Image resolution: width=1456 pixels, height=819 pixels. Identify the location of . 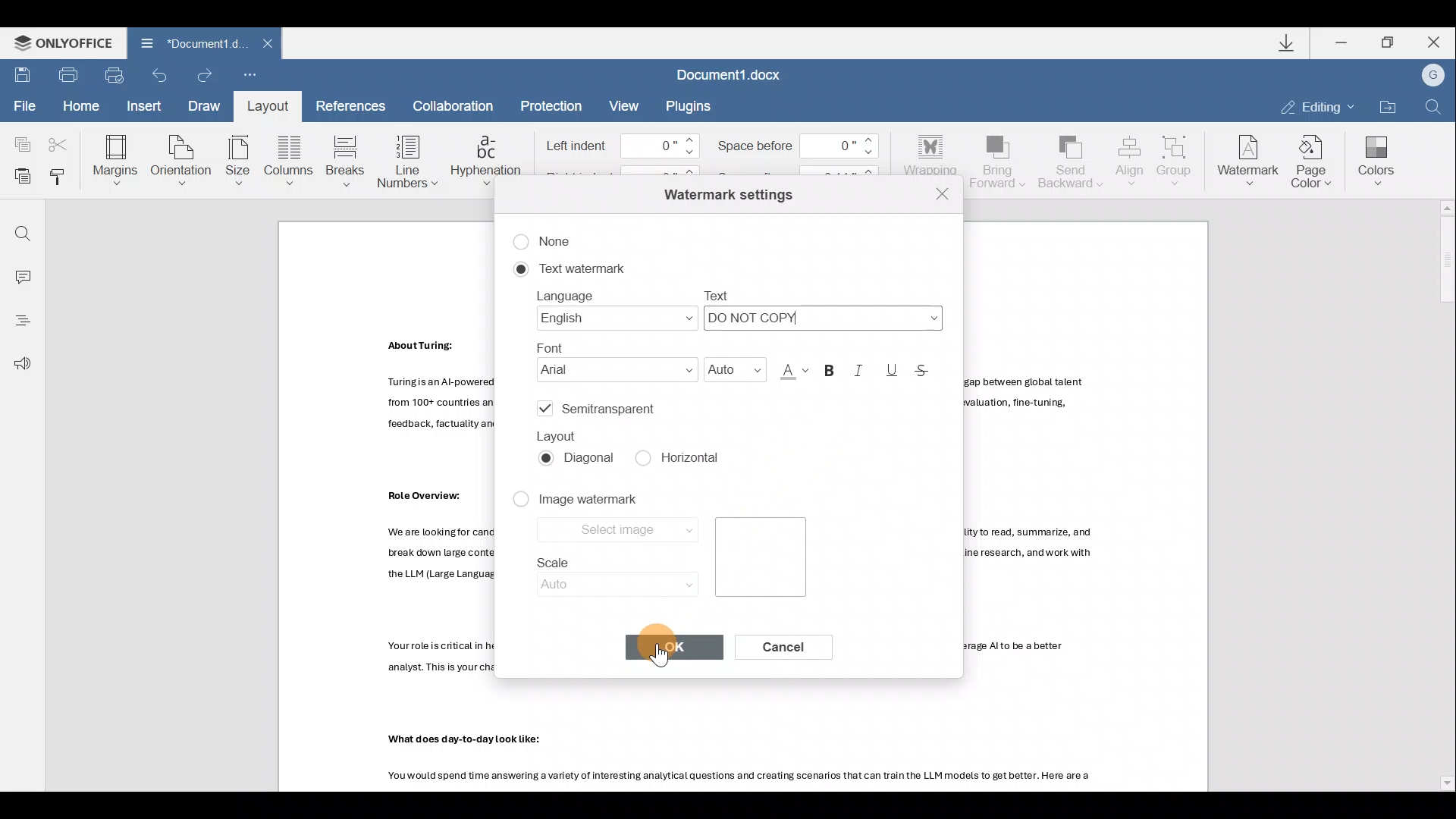
(467, 739).